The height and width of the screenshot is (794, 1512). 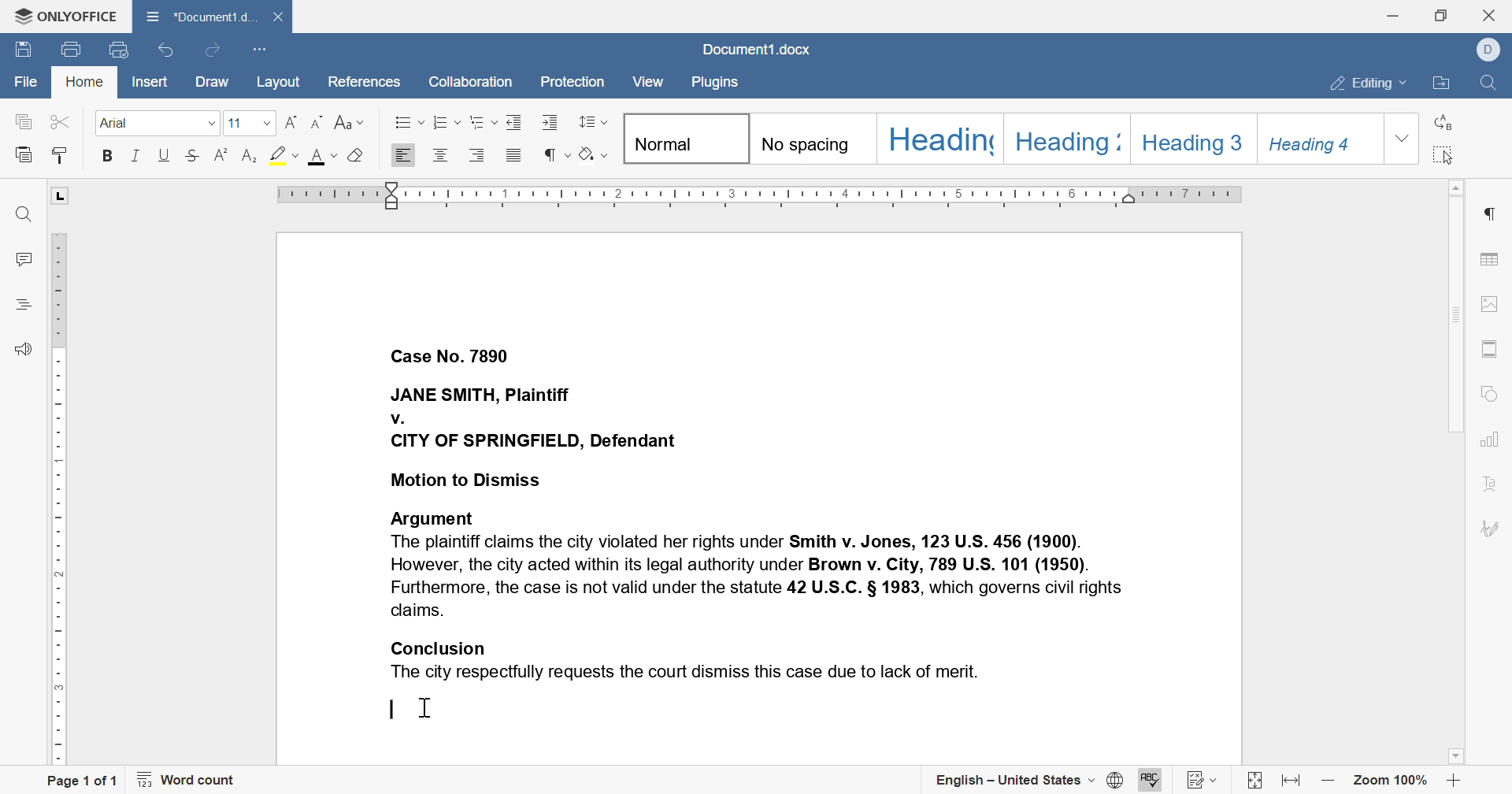 What do you see at coordinates (137, 155) in the screenshot?
I see `italic` at bounding box center [137, 155].